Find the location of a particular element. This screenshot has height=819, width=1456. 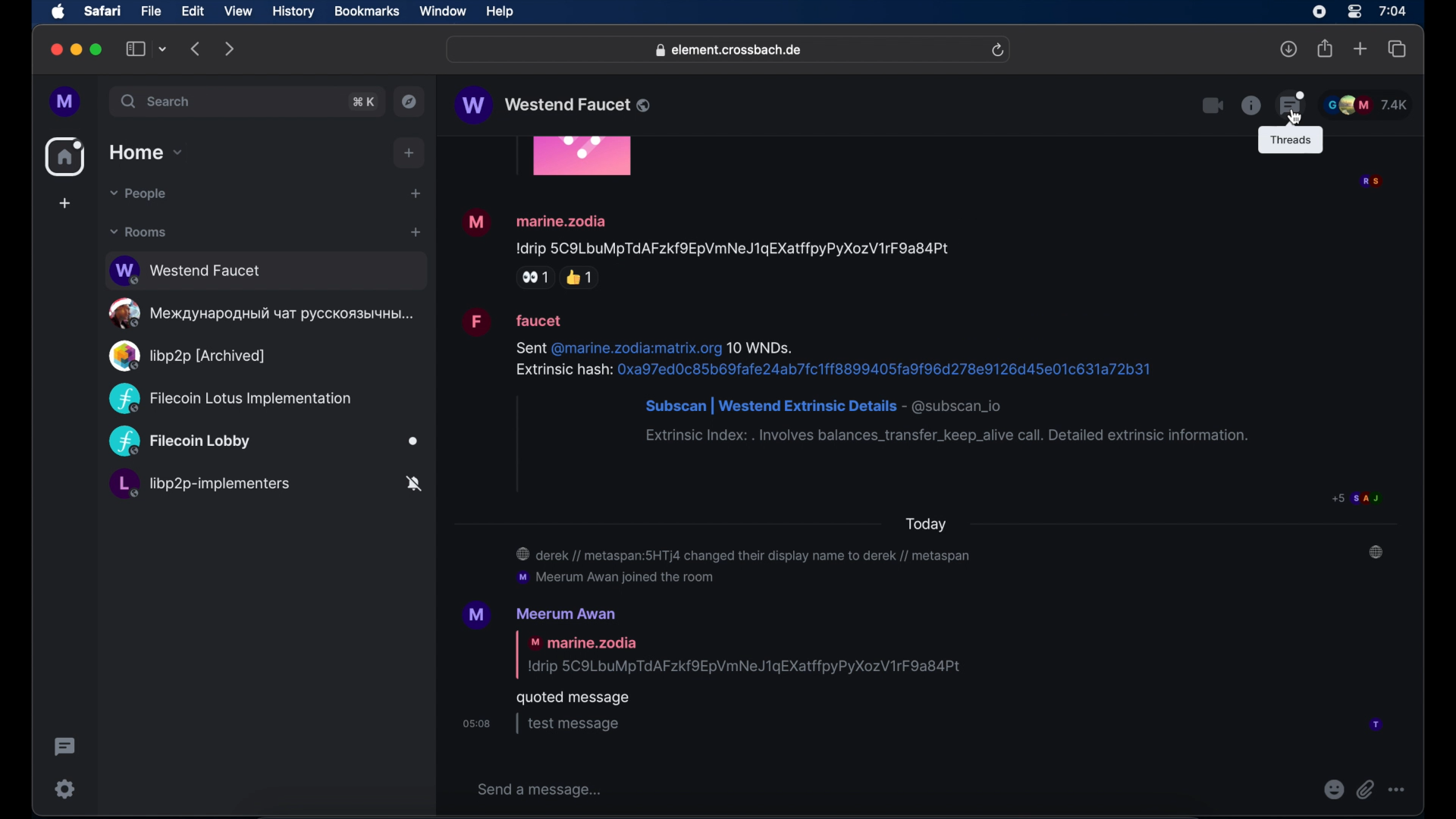

downloads is located at coordinates (1289, 49).